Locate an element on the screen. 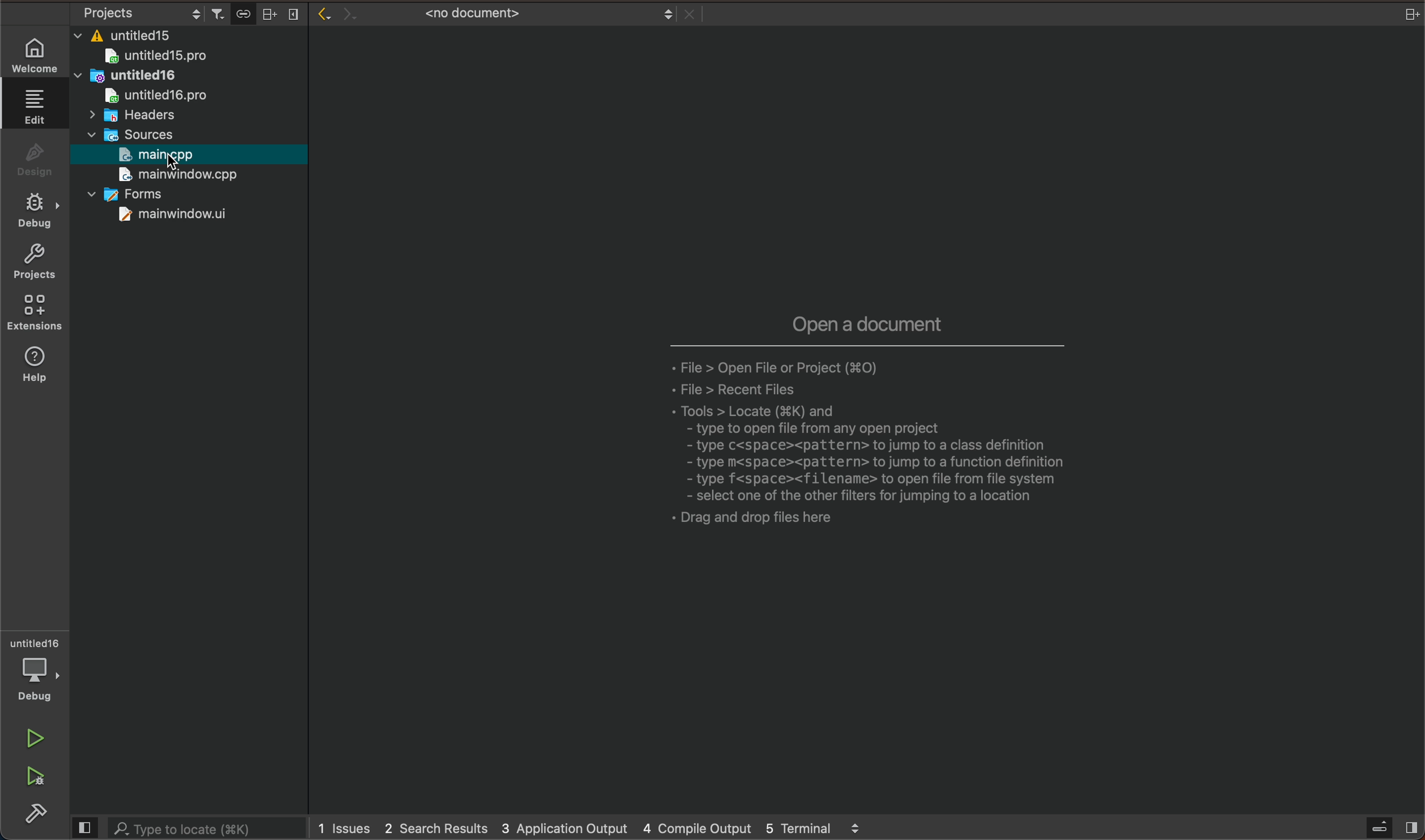 This screenshot has width=1425, height=840. filter is located at coordinates (219, 14).